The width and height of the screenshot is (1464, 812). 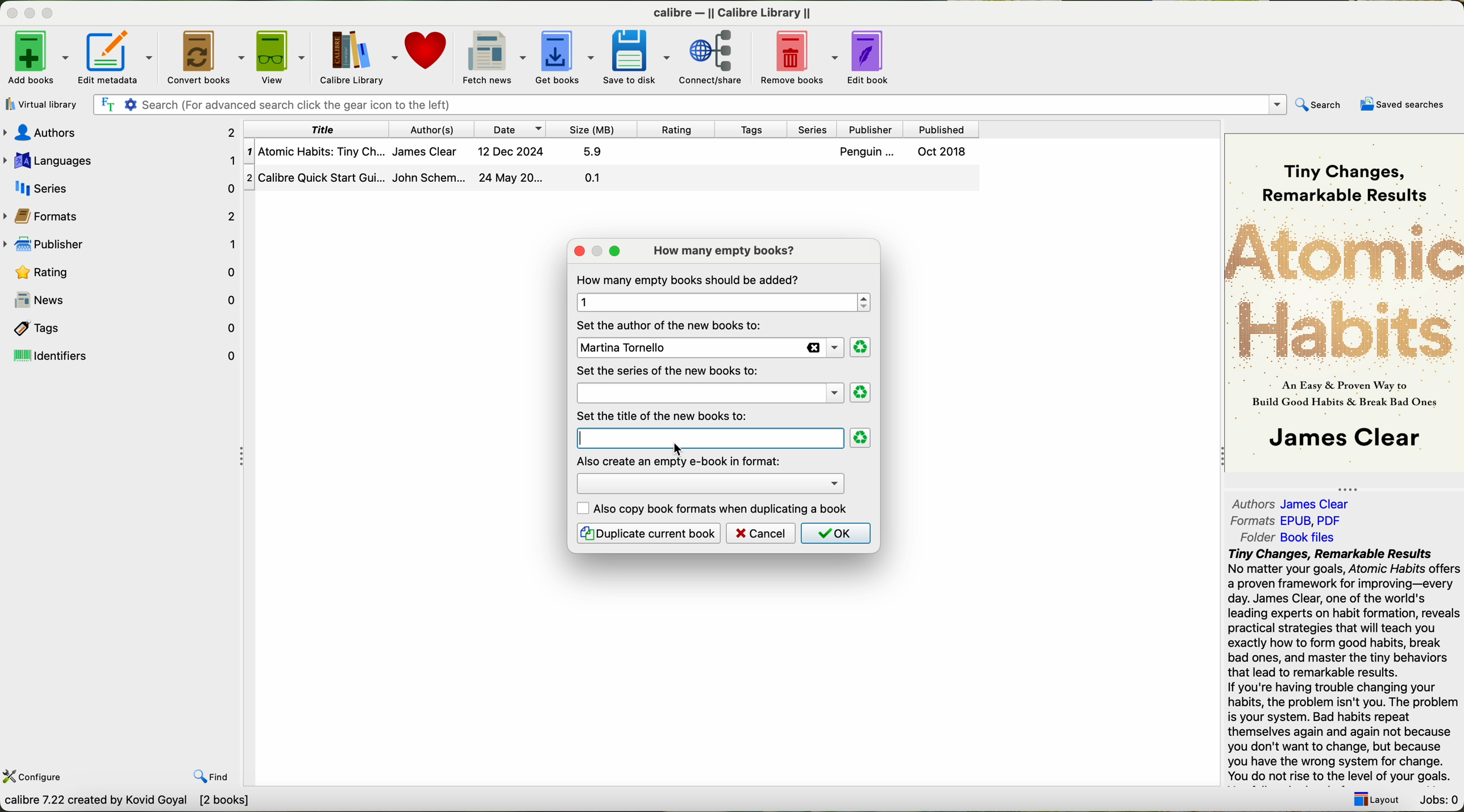 What do you see at coordinates (319, 128) in the screenshot?
I see `title` at bounding box center [319, 128].